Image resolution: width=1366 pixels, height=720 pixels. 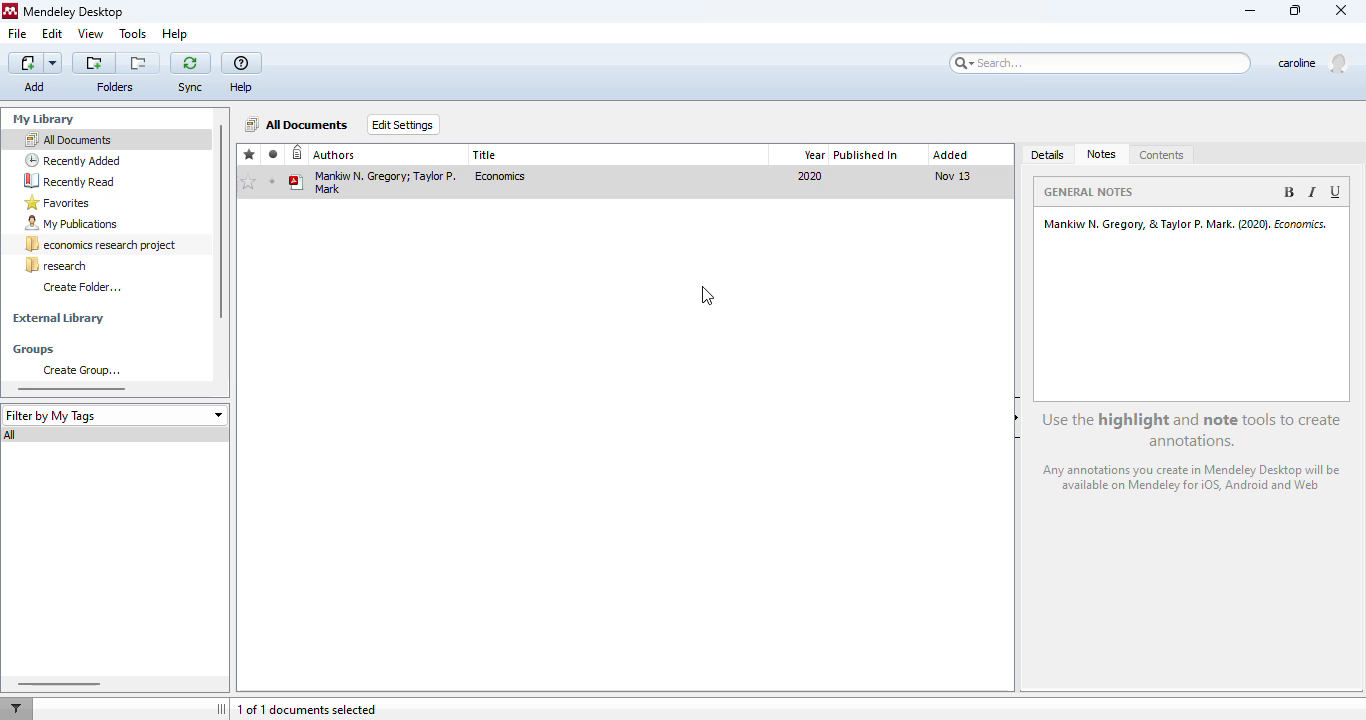 What do you see at coordinates (69, 180) in the screenshot?
I see `recently read` at bounding box center [69, 180].